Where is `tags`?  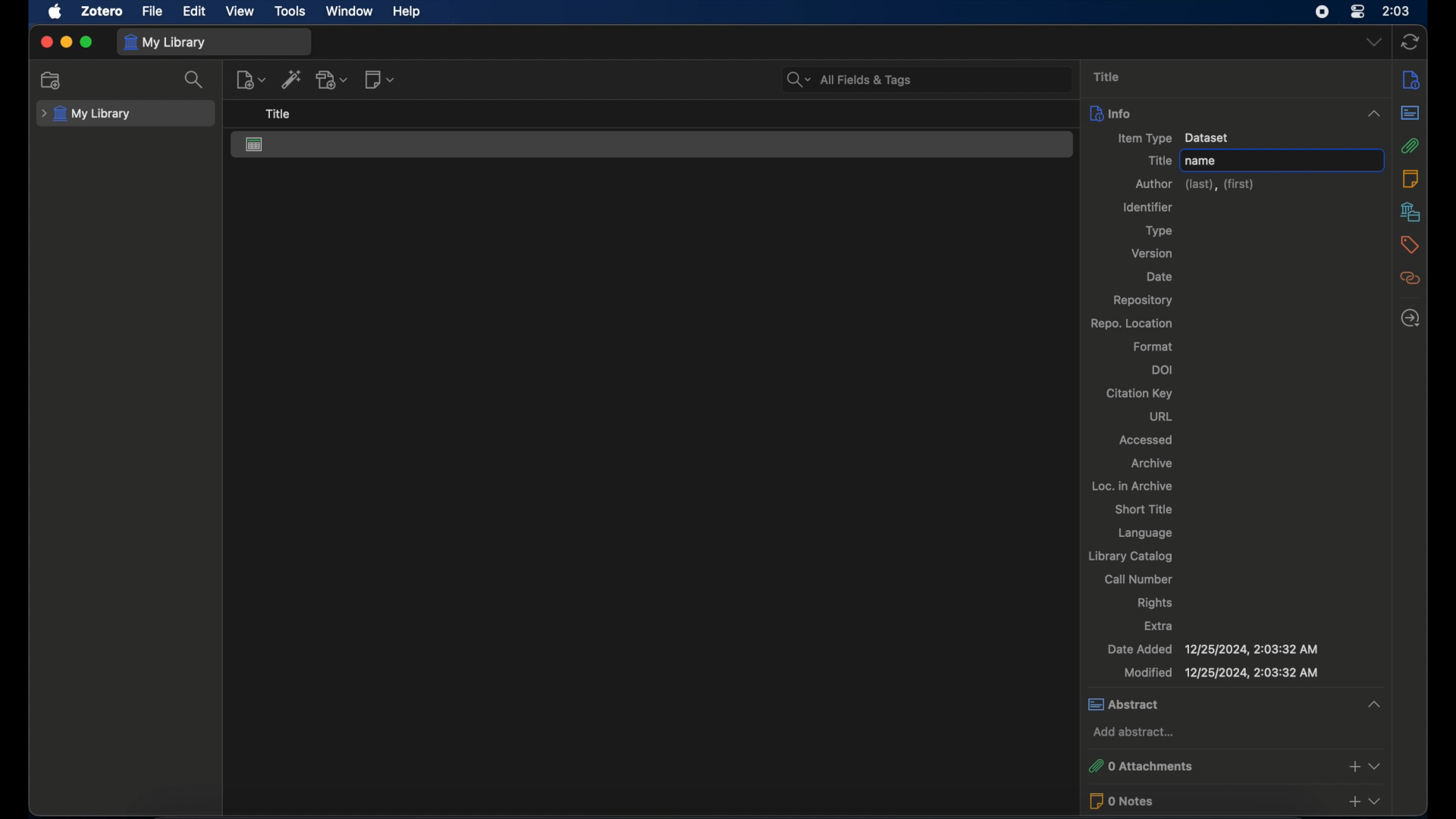 tags is located at coordinates (1411, 245).